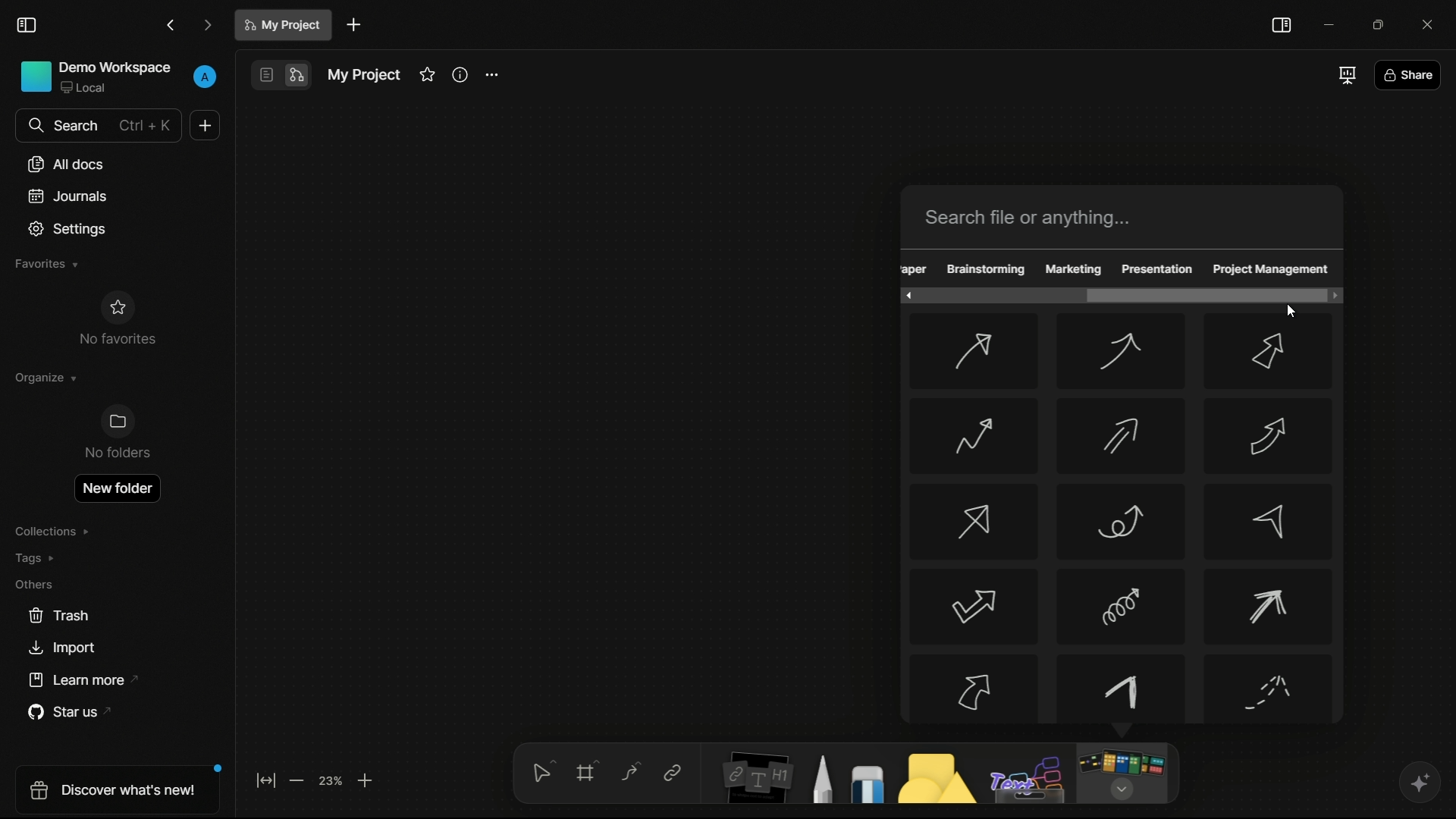  Describe the element at coordinates (67, 164) in the screenshot. I see `all documents` at that location.